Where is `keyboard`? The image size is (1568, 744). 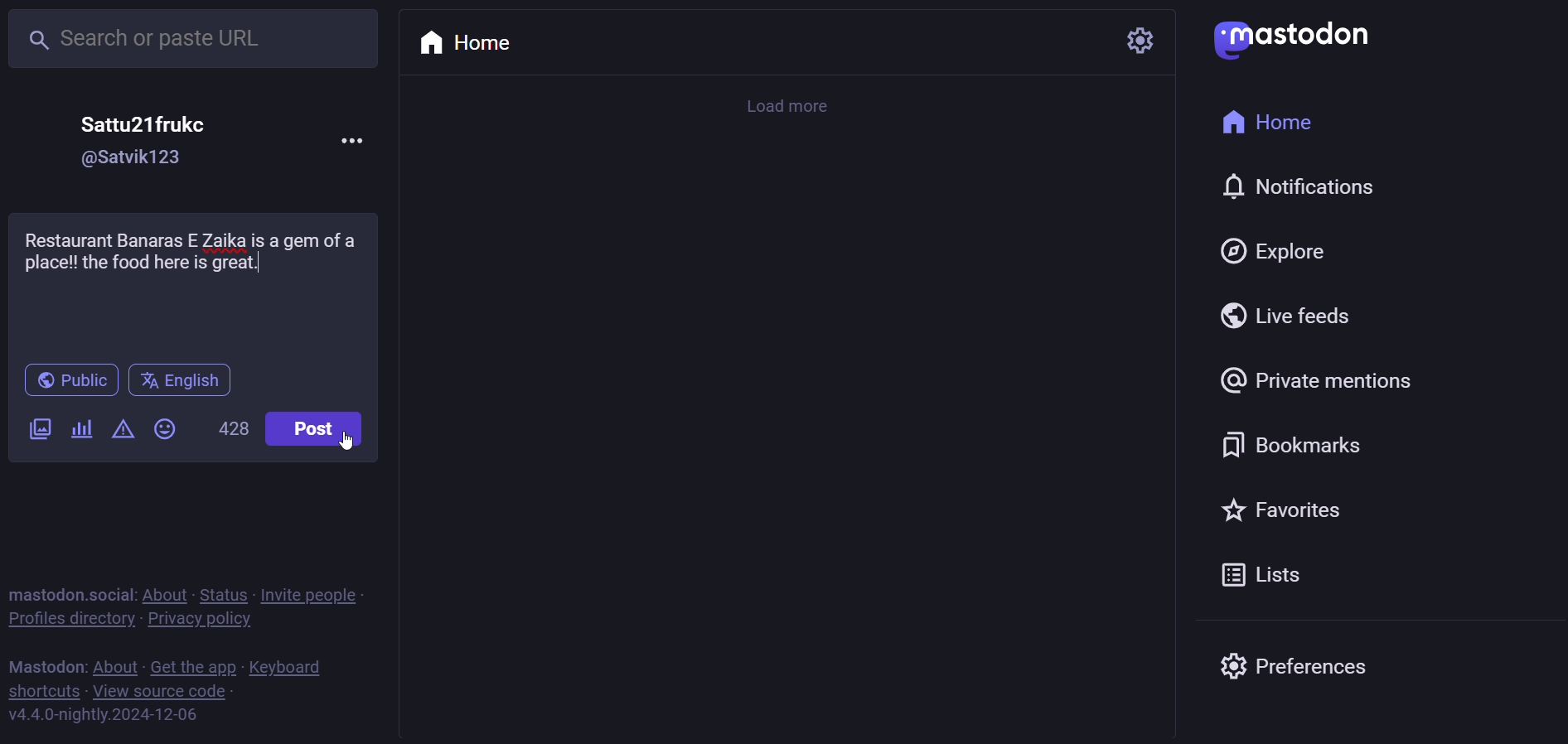 keyboard is located at coordinates (290, 668).